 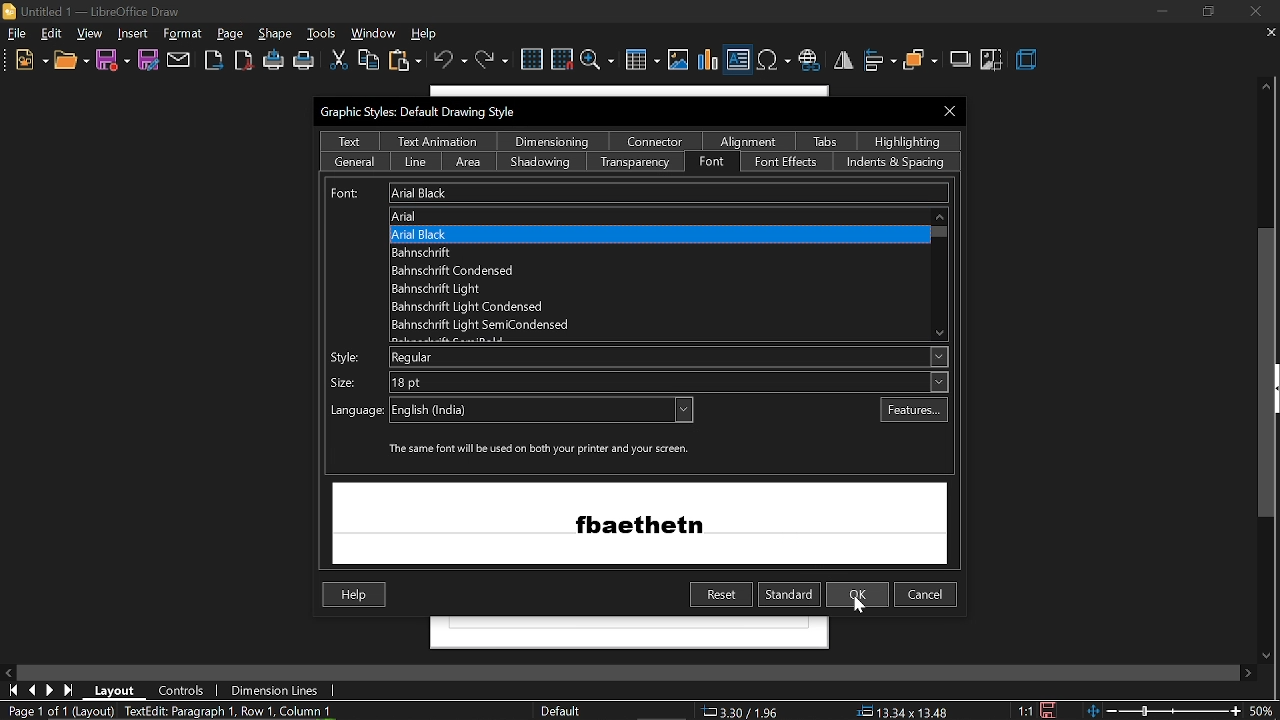 I want to click on general, so click(x=355, y=160).